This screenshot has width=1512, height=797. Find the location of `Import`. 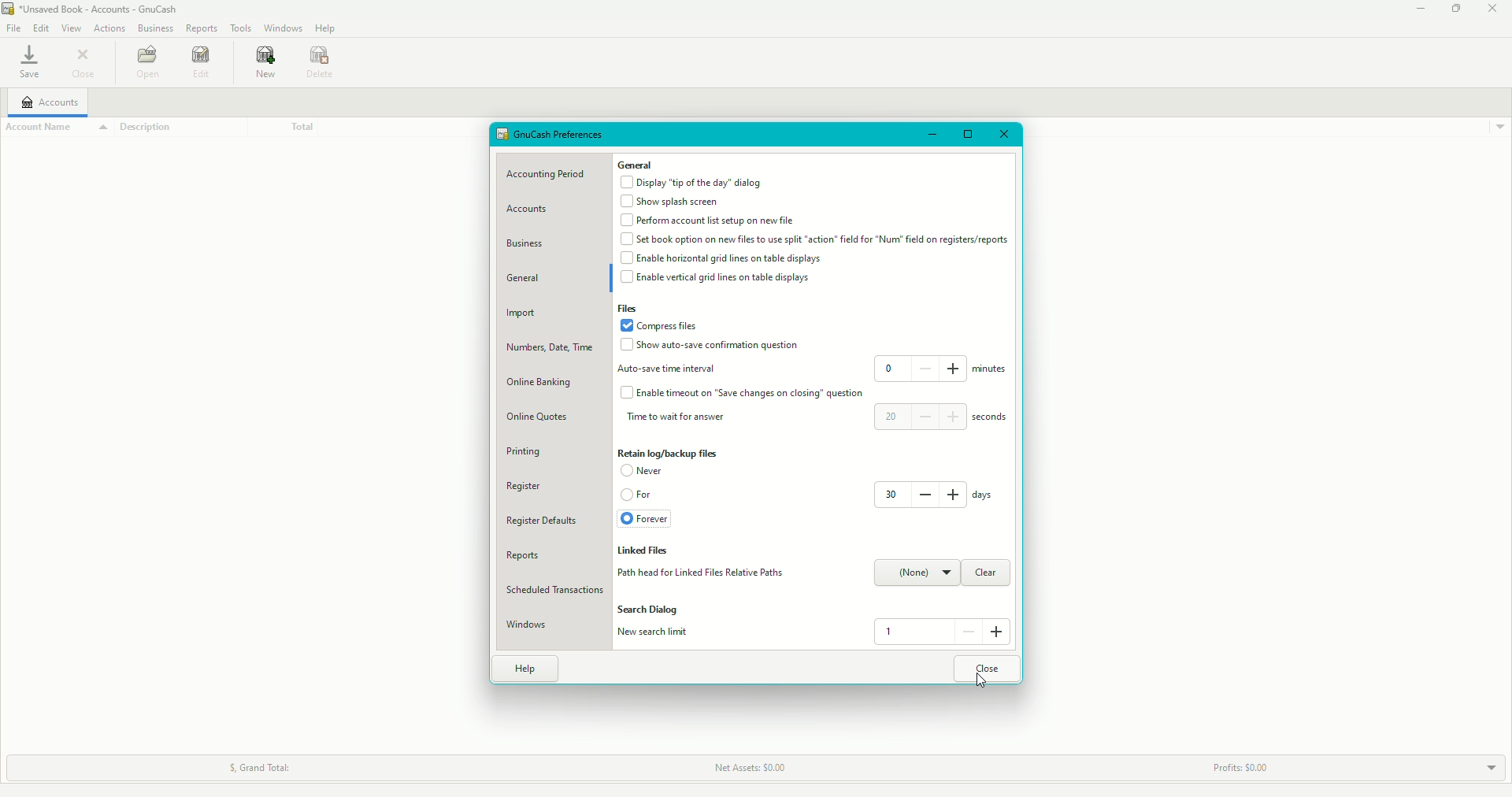

Import is located at coordinates (523, 316).